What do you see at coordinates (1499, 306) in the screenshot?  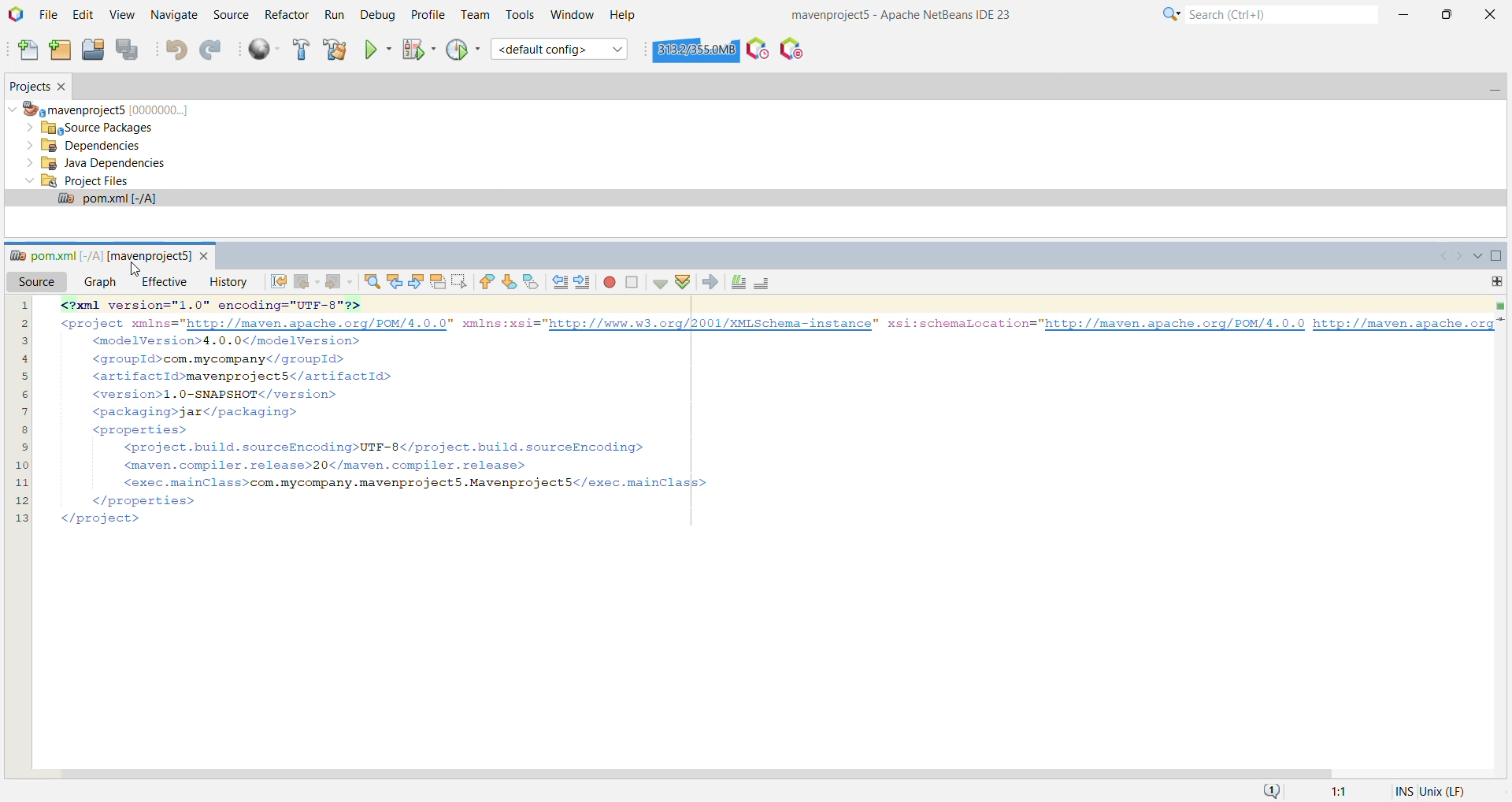 I see `No errors` at bounding box center [1499, 306].